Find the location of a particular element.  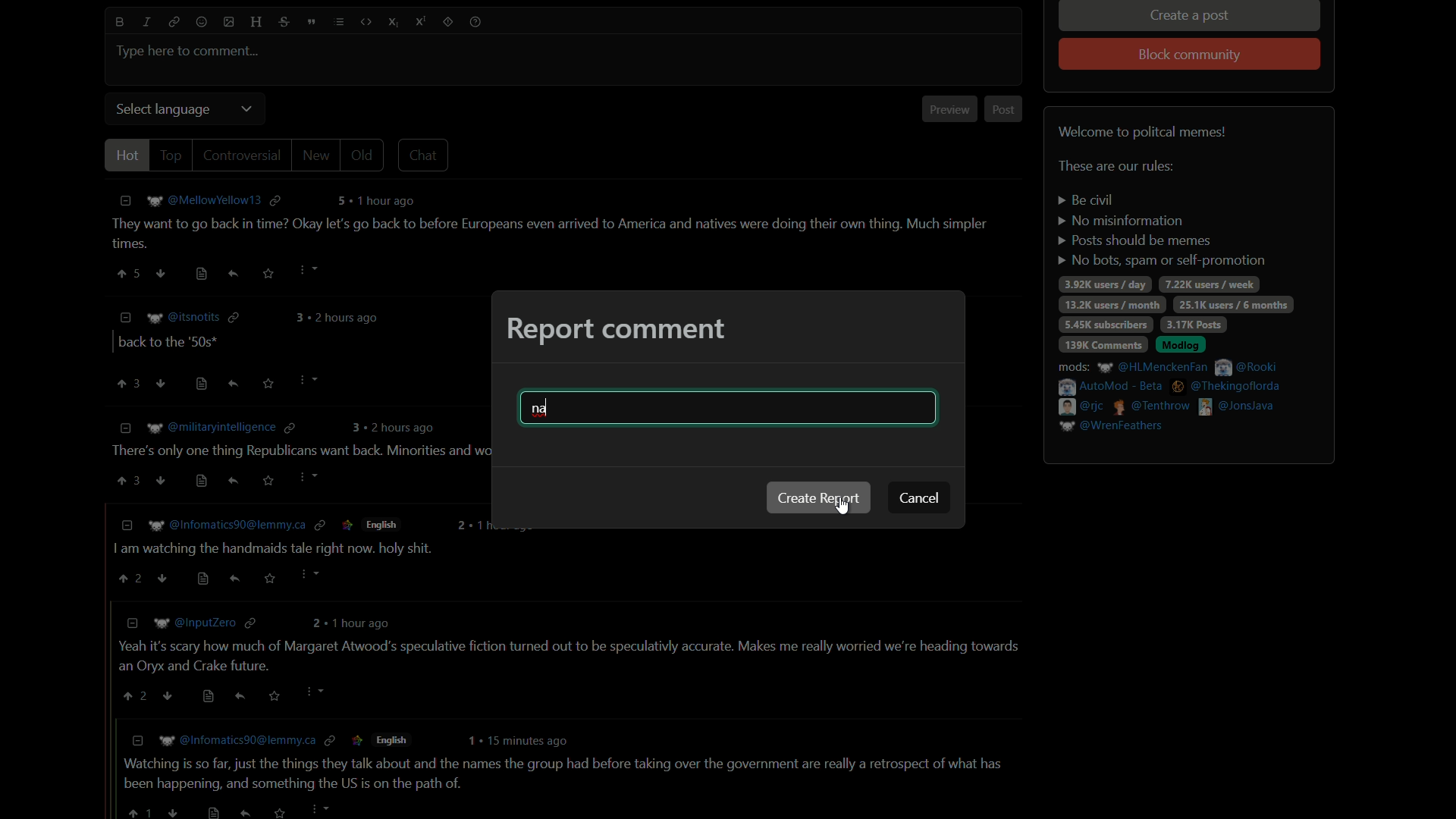

view source is located at coordinates (199, 384).